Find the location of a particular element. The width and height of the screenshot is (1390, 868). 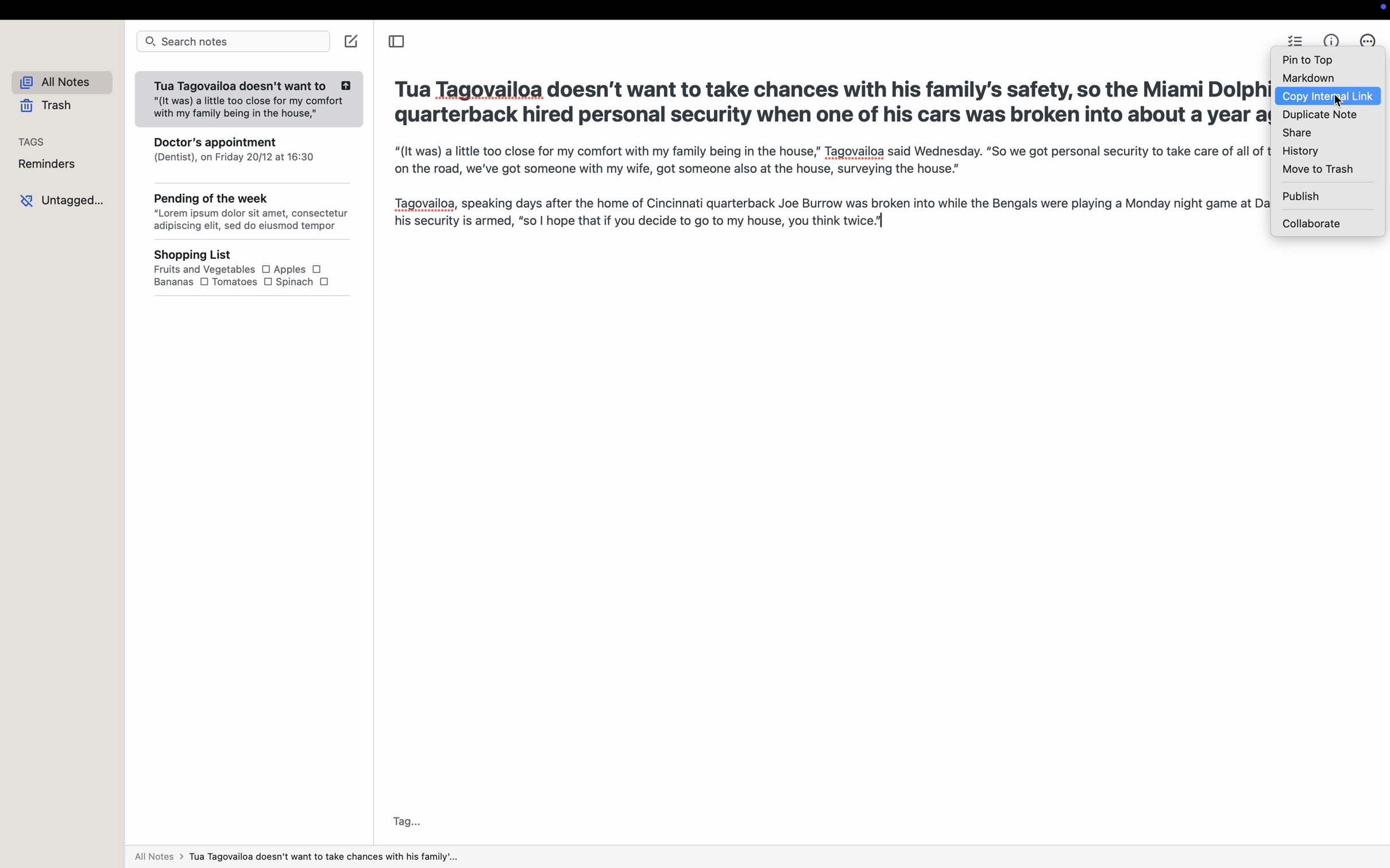

create note is located at coordinates (350, 44).